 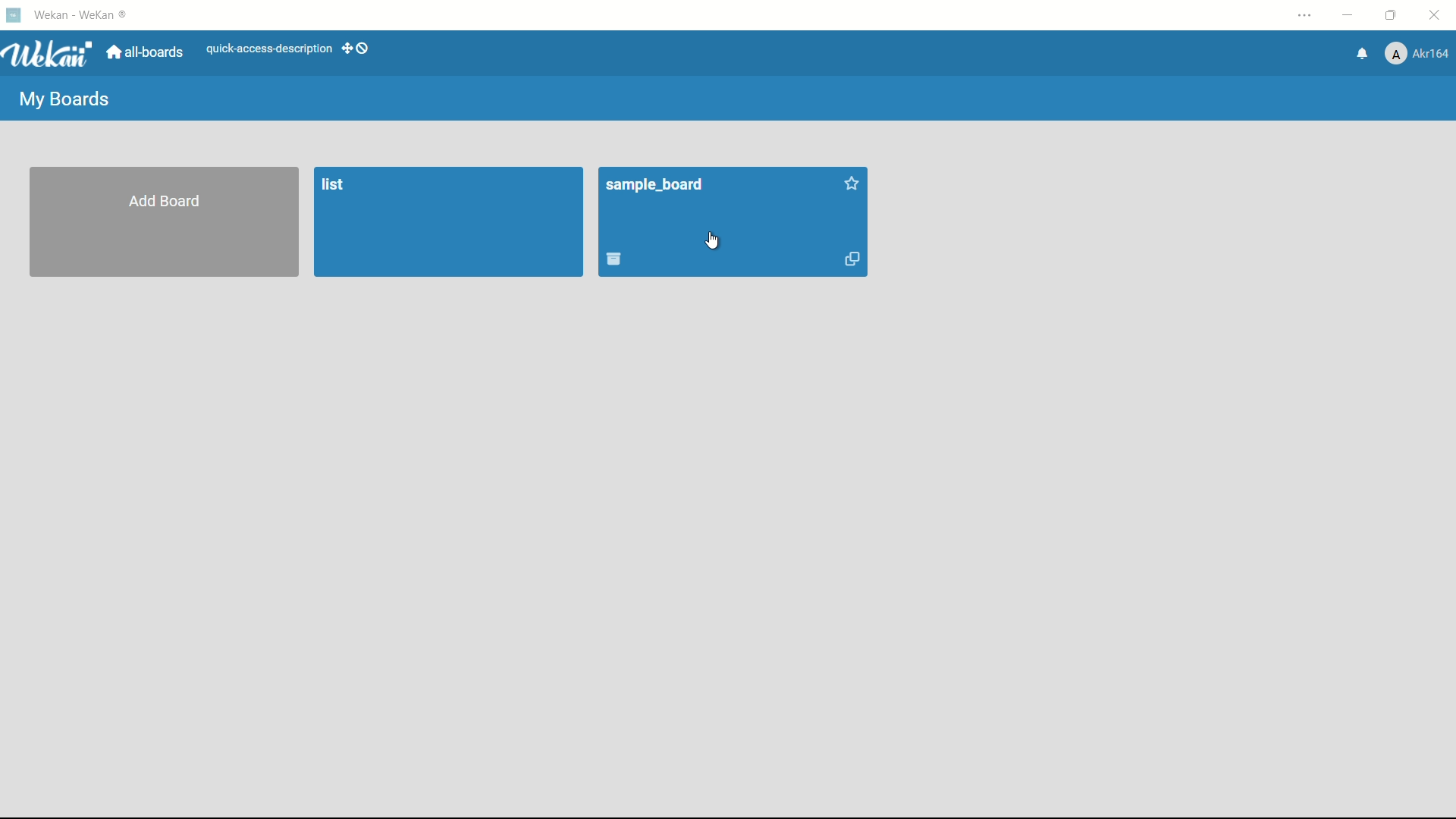 What do you see at coordinates (1360, 54) in the screenshot?
I see `notifications` at bounding box center [1360, 54].